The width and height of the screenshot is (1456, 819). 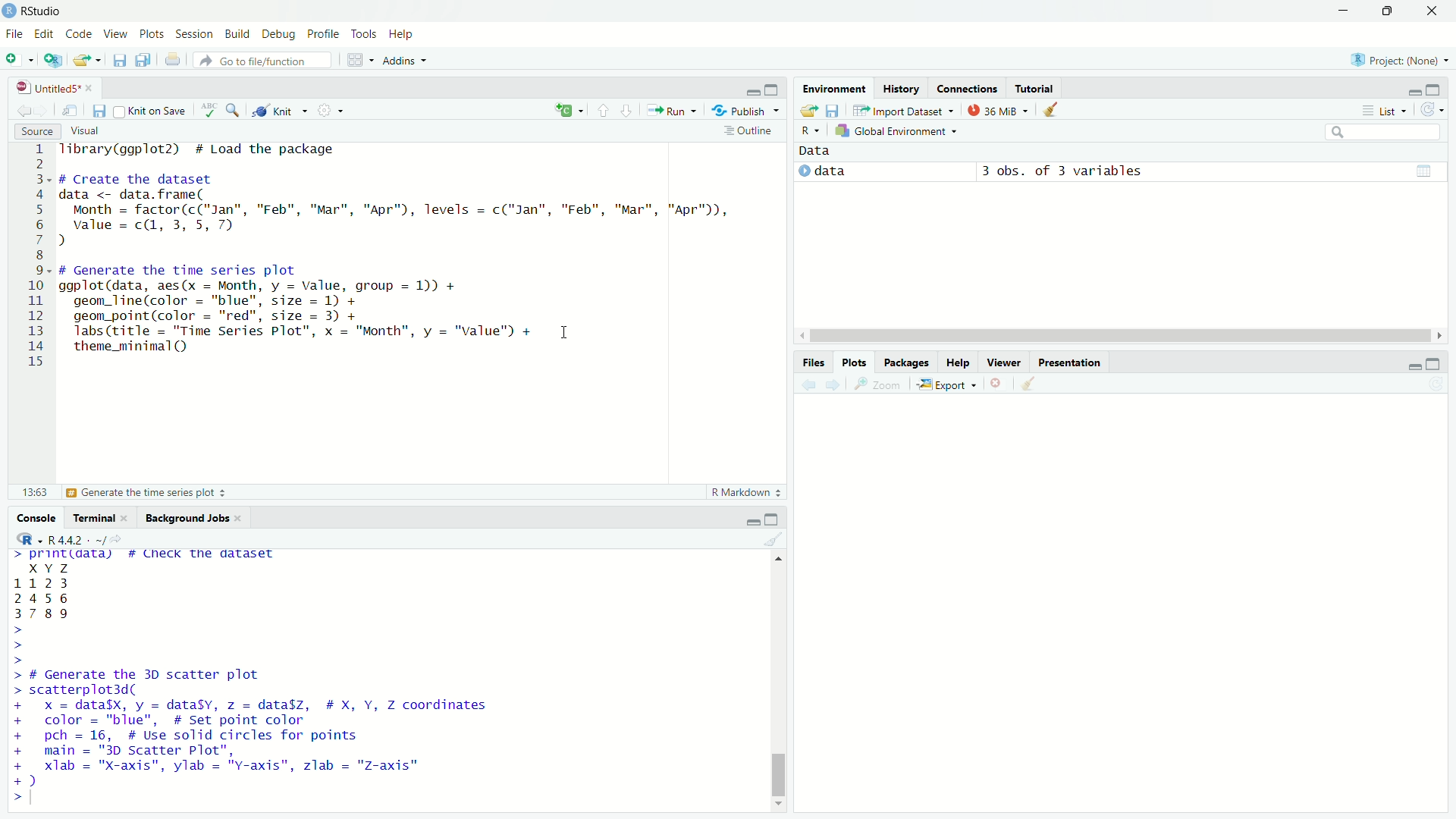 What do you see at coordinates (604, 111) in the screenshot?
I see `go to previous chunk/section` at bounding box center [604, 111].